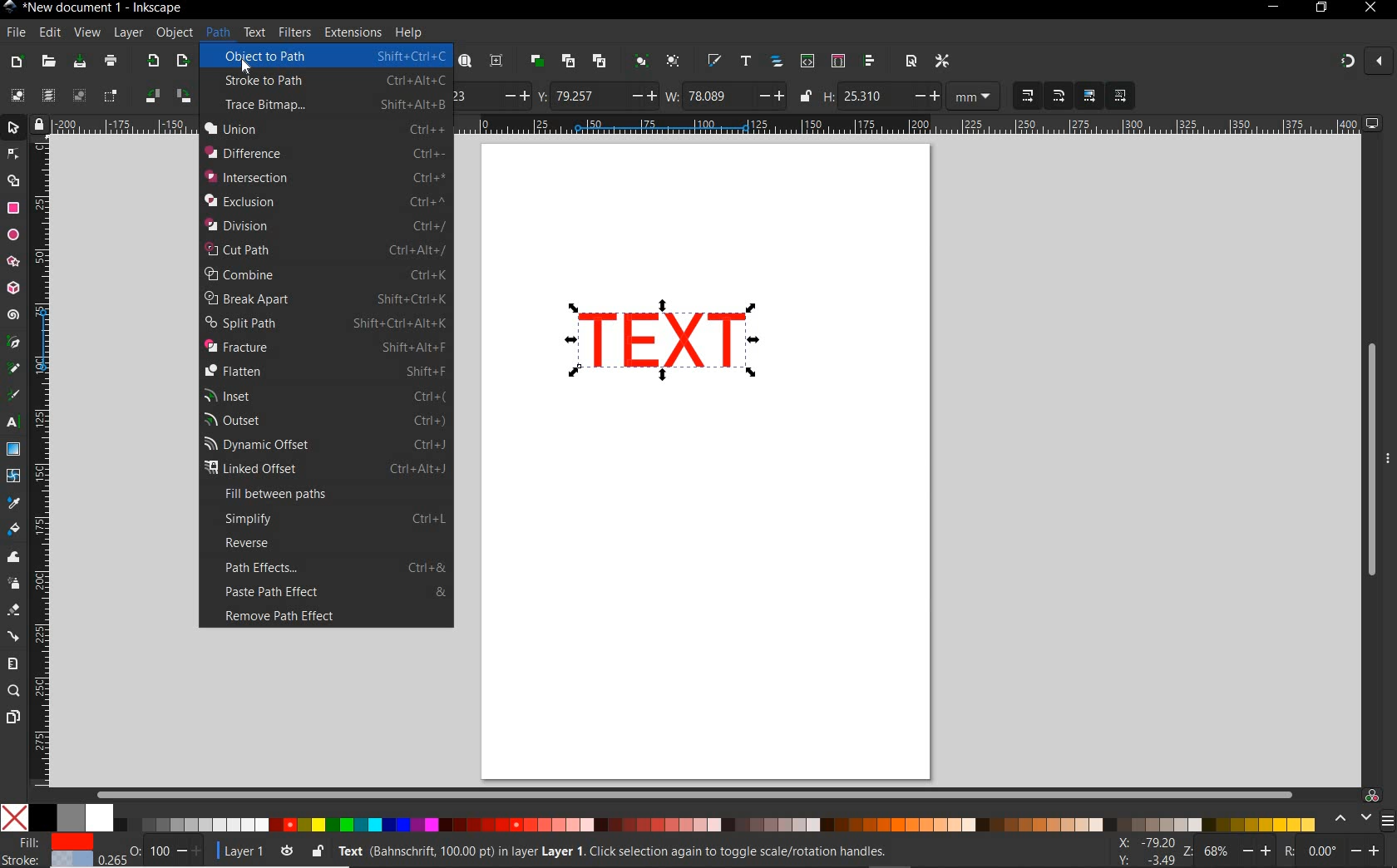 Image resolution: width=1397 pixels, height=868 pixels. I want to click on SELECTOR TOOL, so click(15, 131).